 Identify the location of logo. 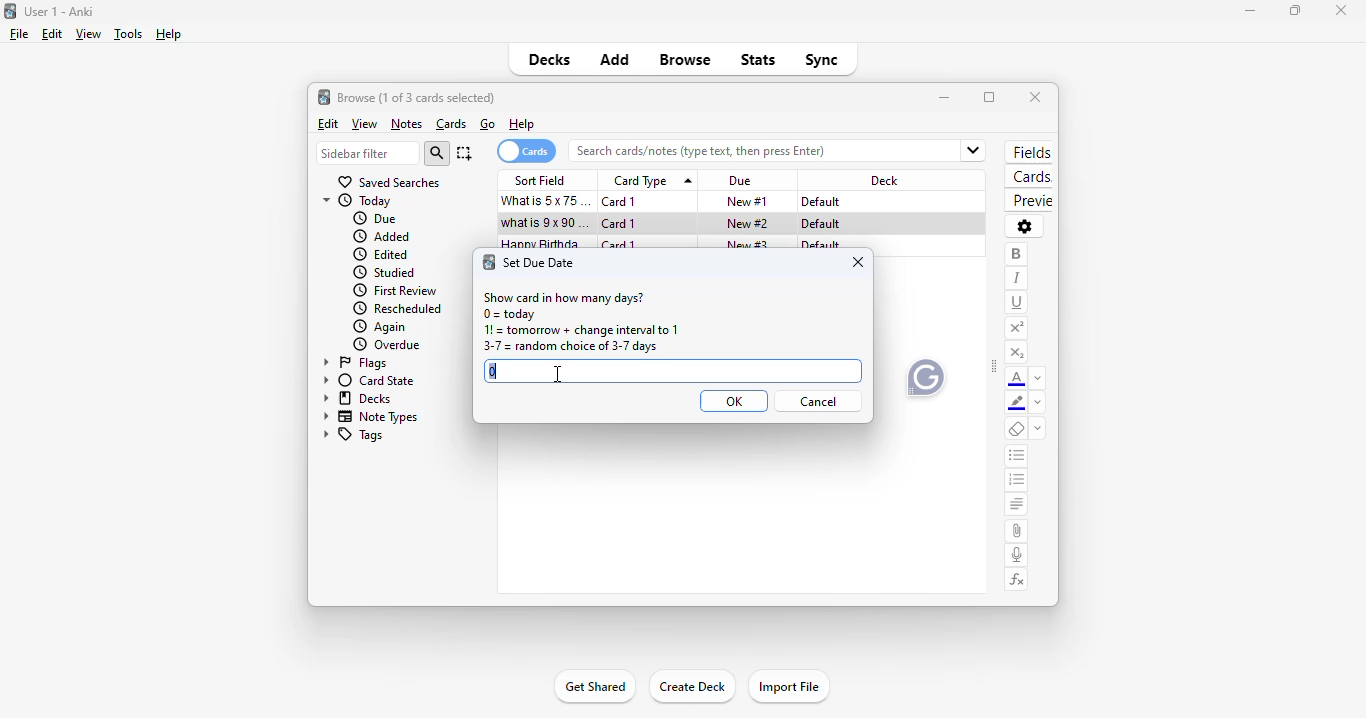
(323, 97).